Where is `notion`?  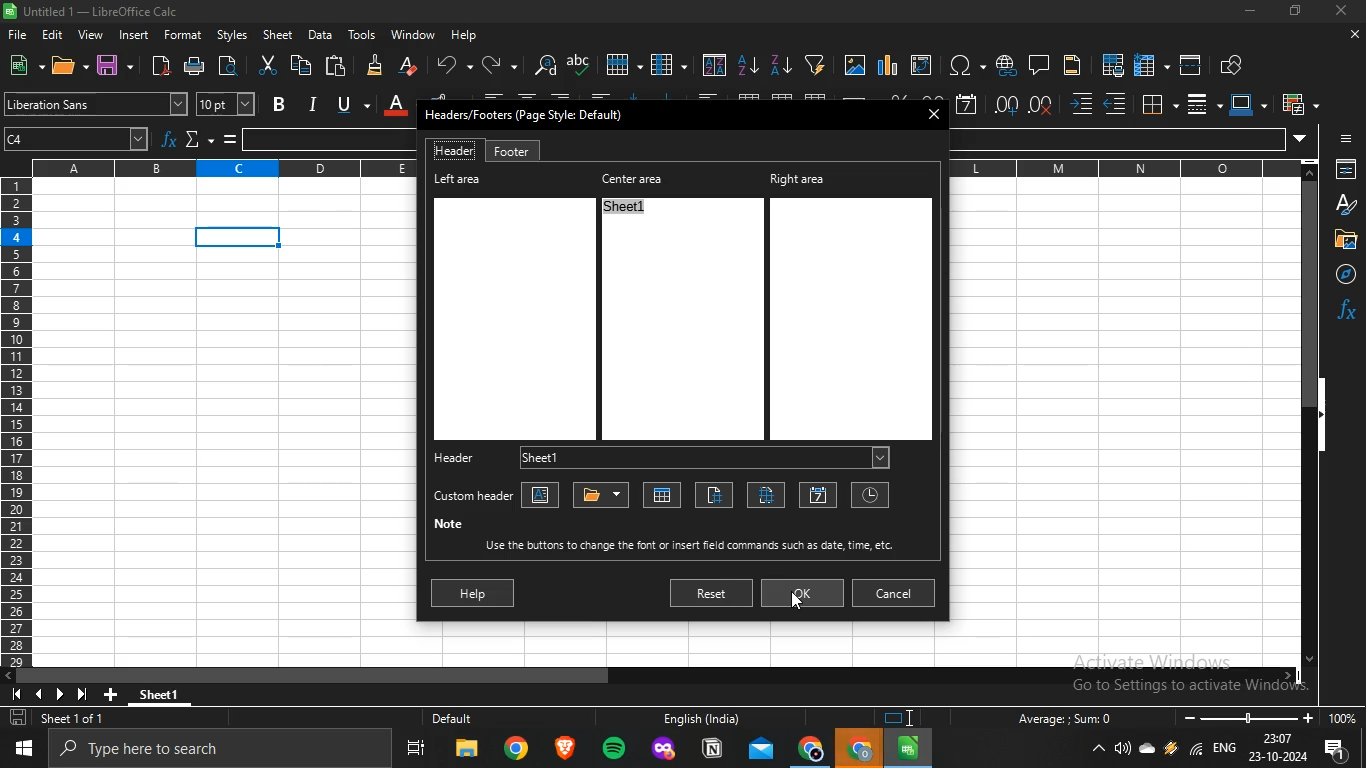
notion is located at coordinates (712, 750).